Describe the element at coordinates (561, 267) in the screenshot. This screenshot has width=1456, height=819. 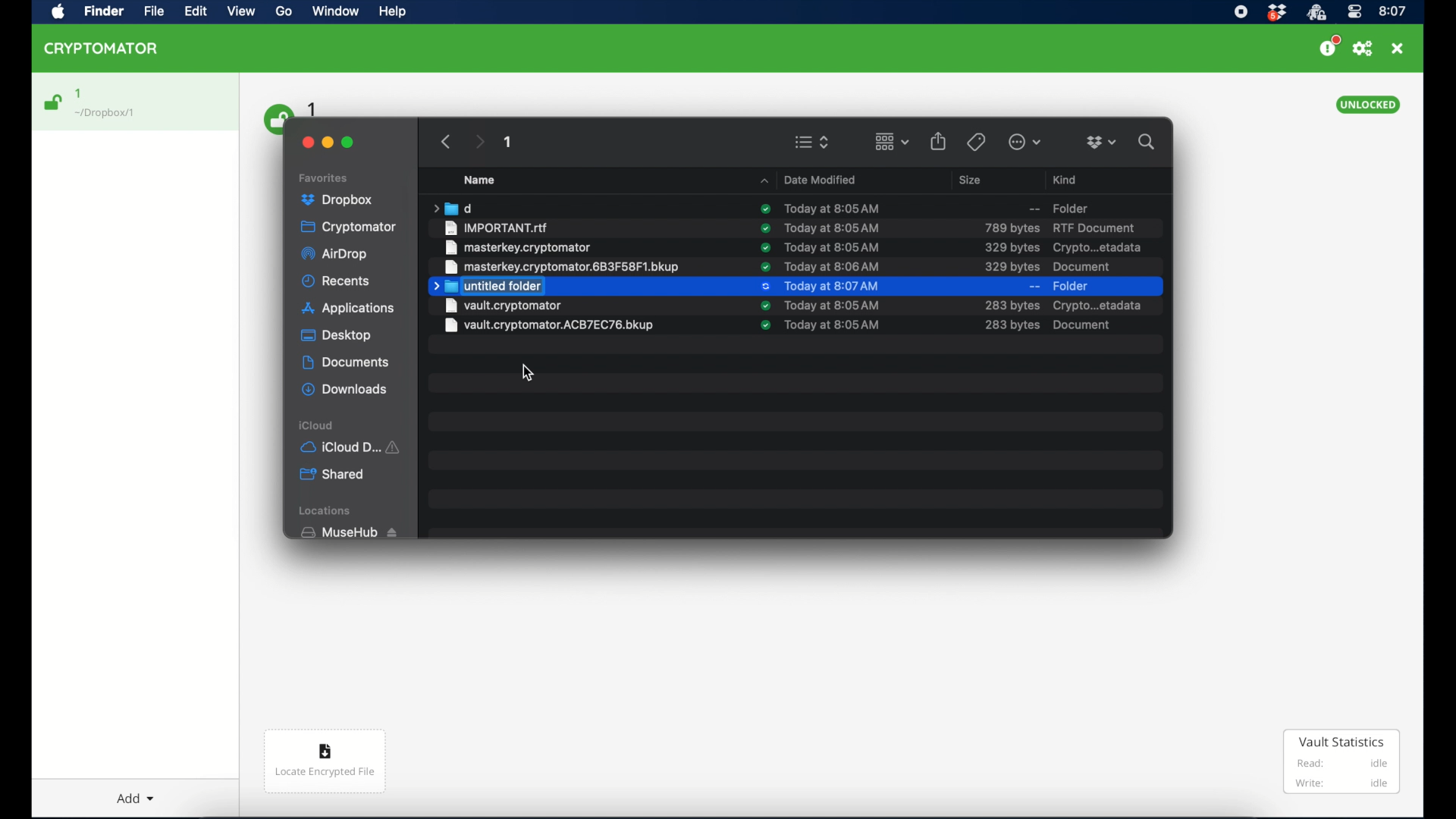
I see `file name` at that location.